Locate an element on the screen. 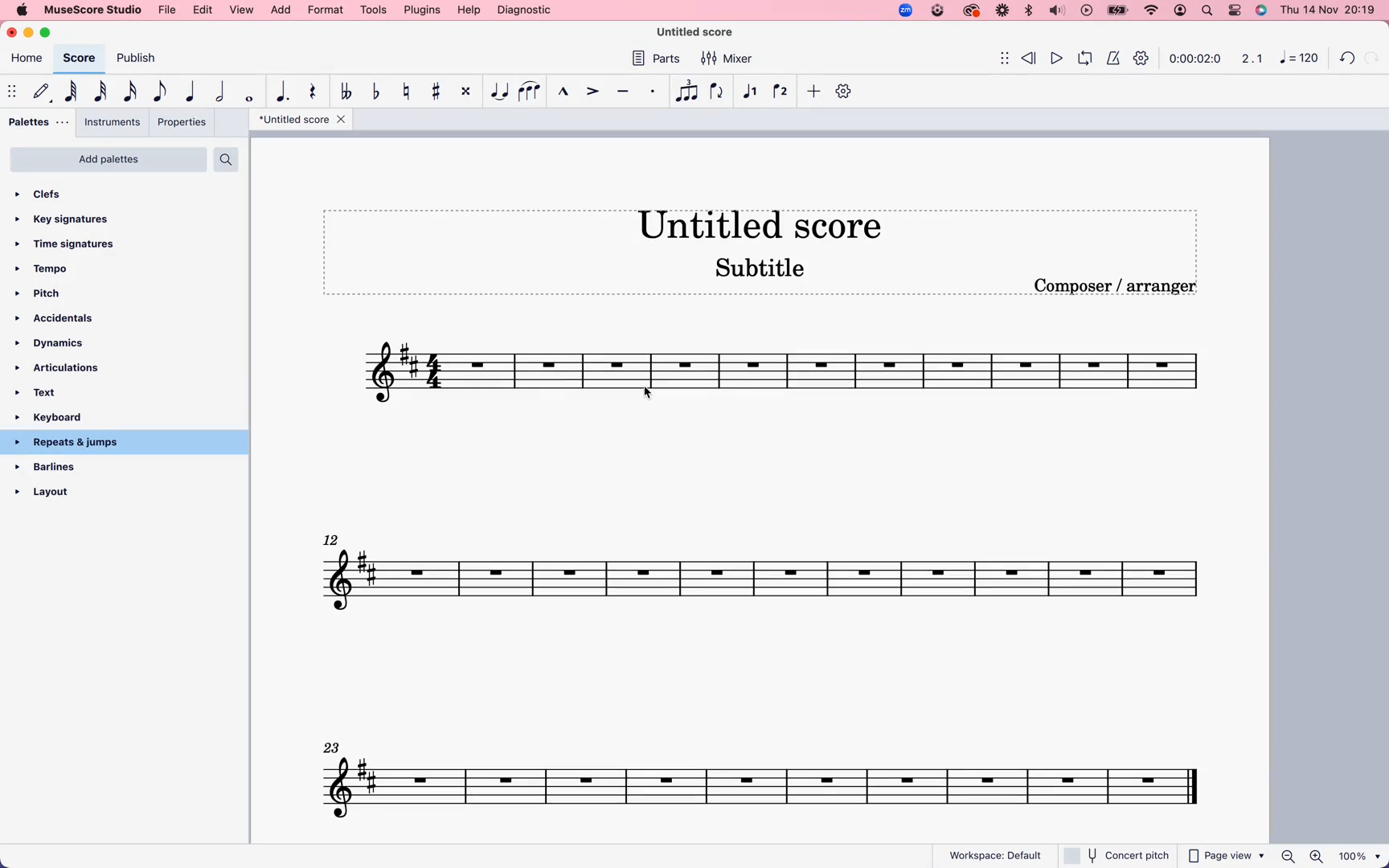 The height and width of the screenshot is (868, 1389). wifi is located at coordinates (1153, 10).